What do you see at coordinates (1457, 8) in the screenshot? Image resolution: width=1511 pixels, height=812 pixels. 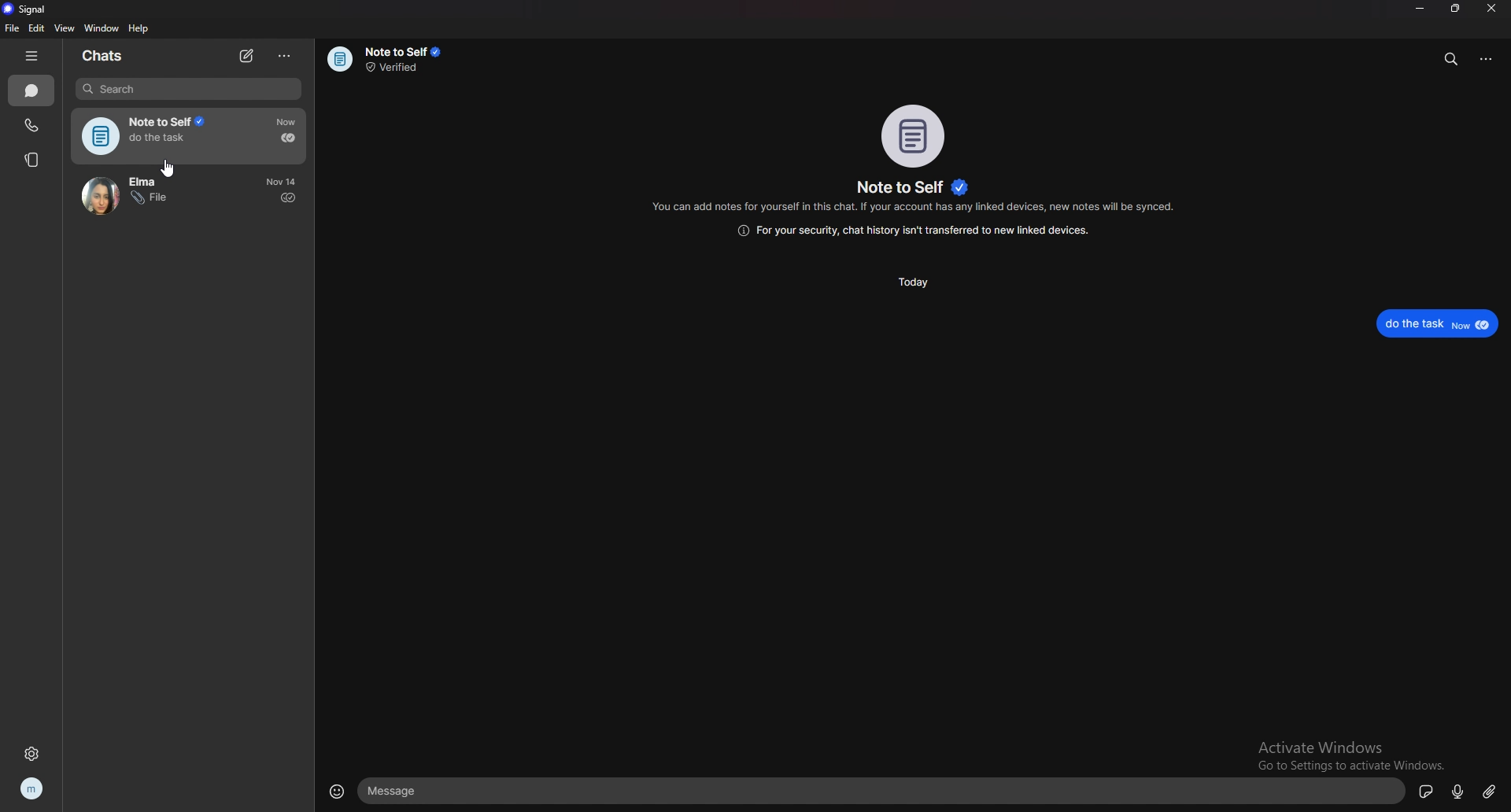 I see `resize` at bounding box center [1457, 8].